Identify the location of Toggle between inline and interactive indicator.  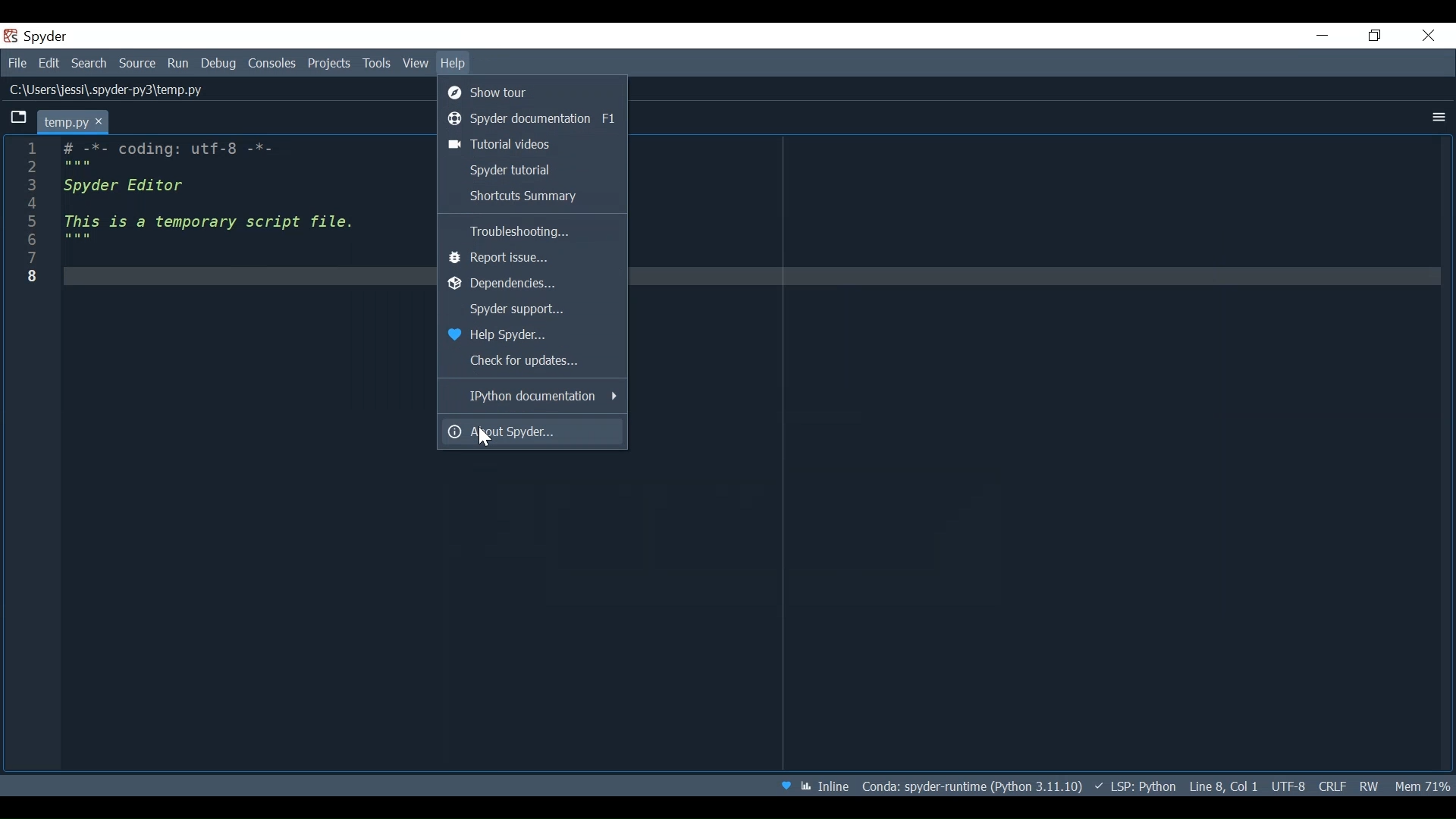
(827, 786).